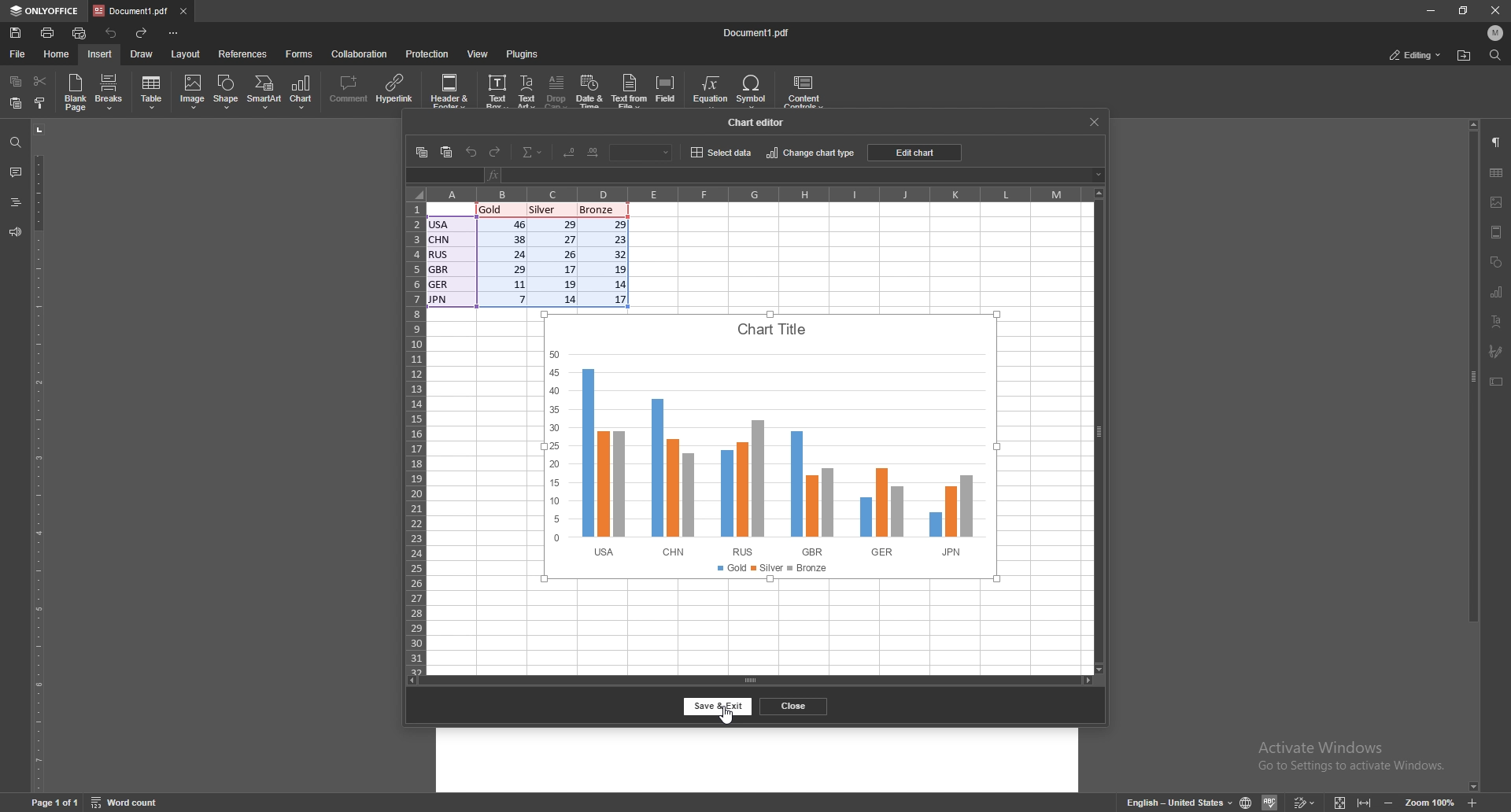  What do you see at coordinates (1386, 803) in the screenshot?
I see `minimize` at bounding box center [1386, 803].